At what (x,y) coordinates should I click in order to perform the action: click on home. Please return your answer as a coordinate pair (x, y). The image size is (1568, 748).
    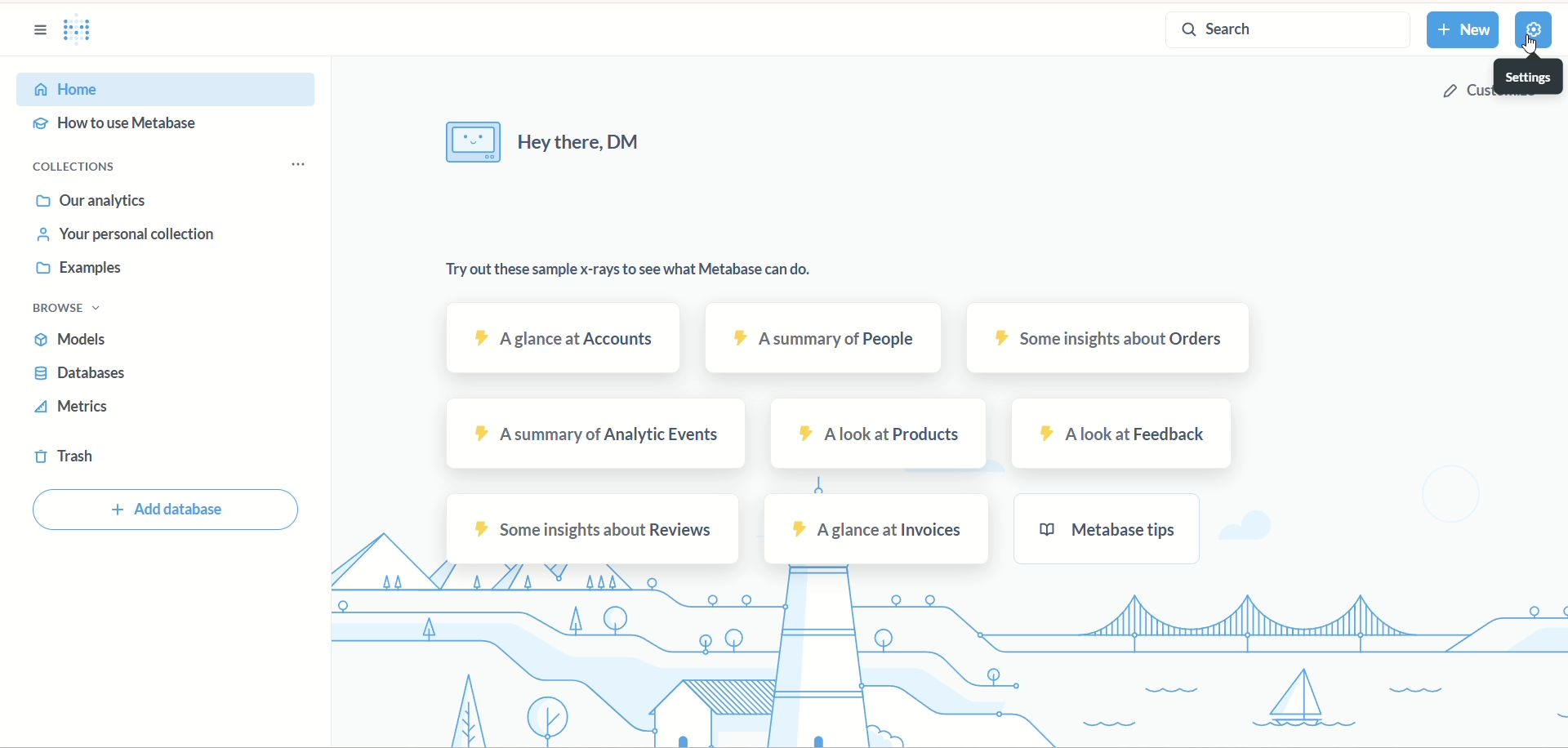
    Looking at the image, I should click on (169, 89).